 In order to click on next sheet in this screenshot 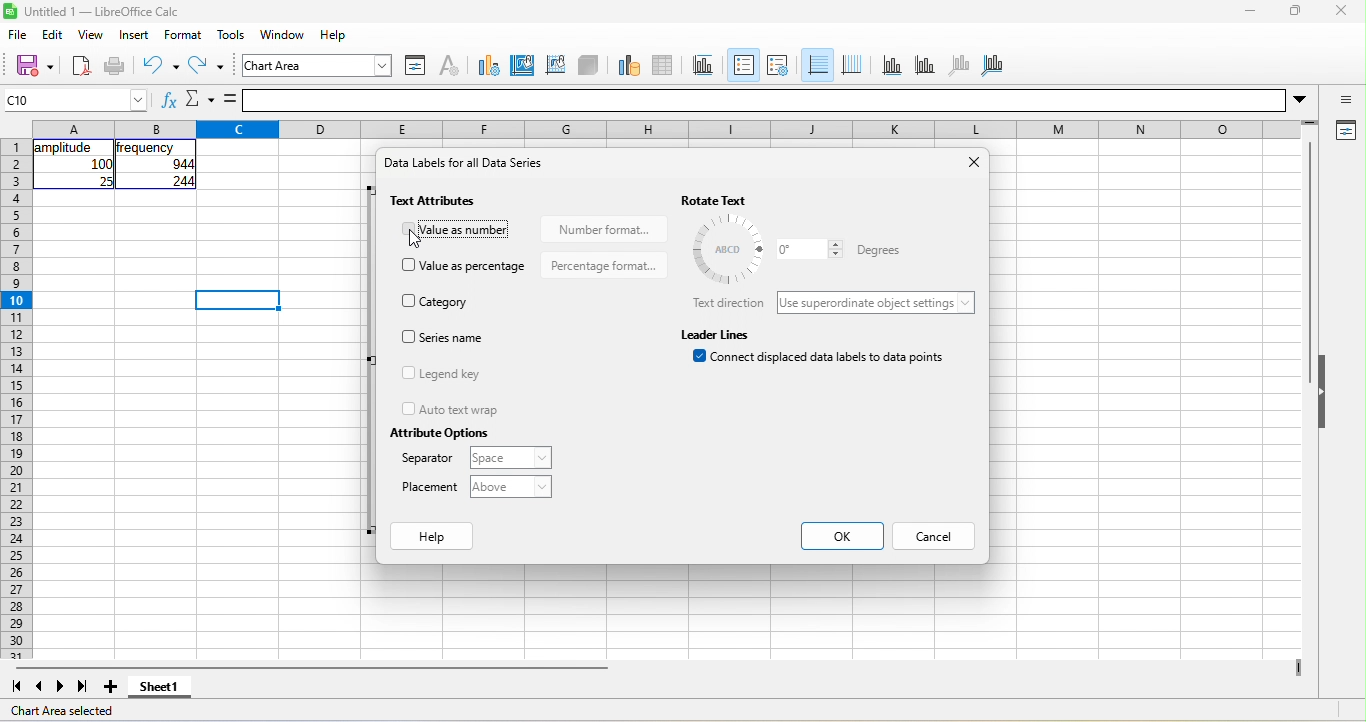, I will do `click(64, 686)`.